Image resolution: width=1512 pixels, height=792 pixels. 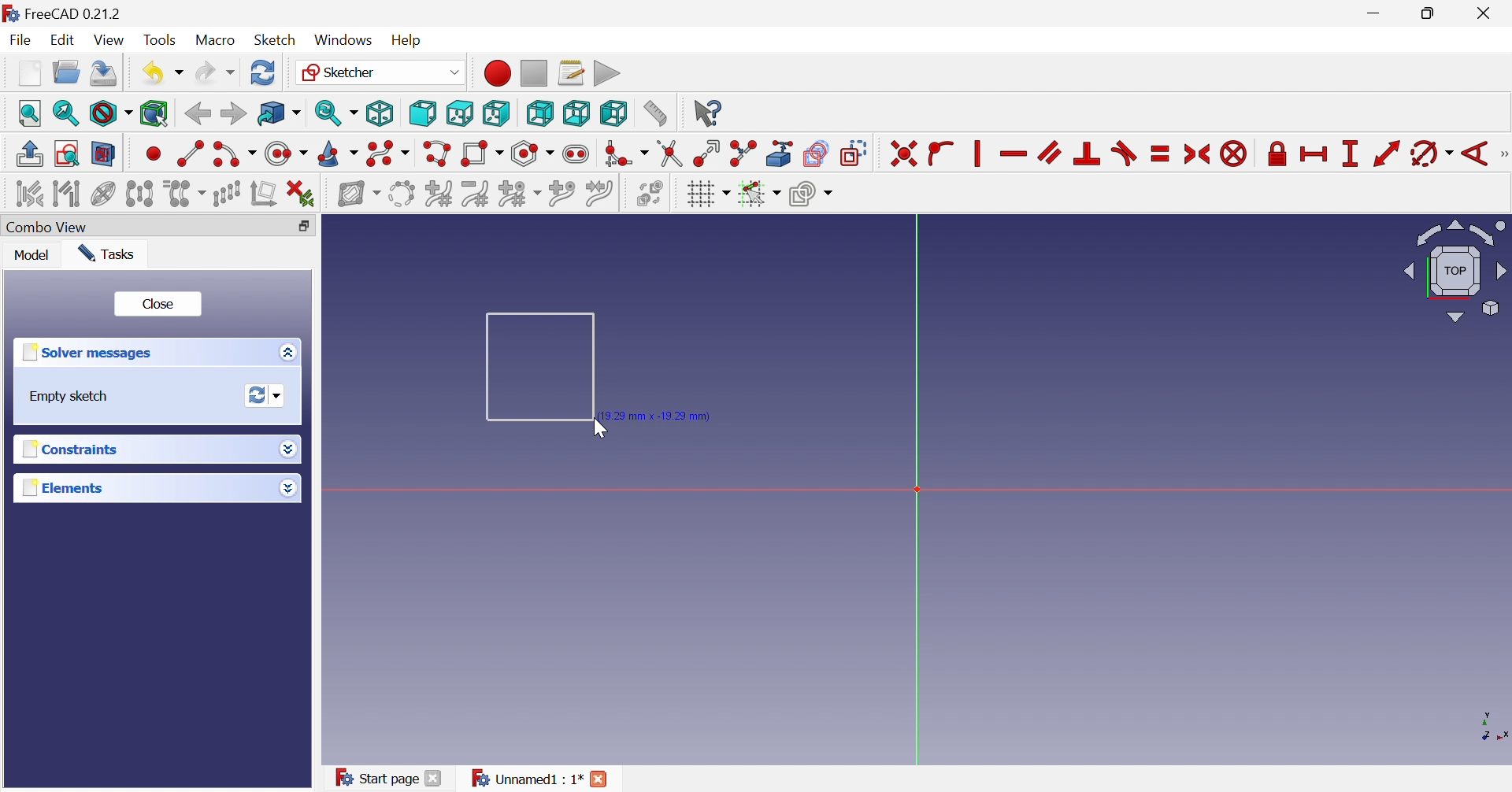 What do you see at coordinates (1456, 272) in the screenshot?
I see `Viewing angle` at bounding box center [1456, 272].